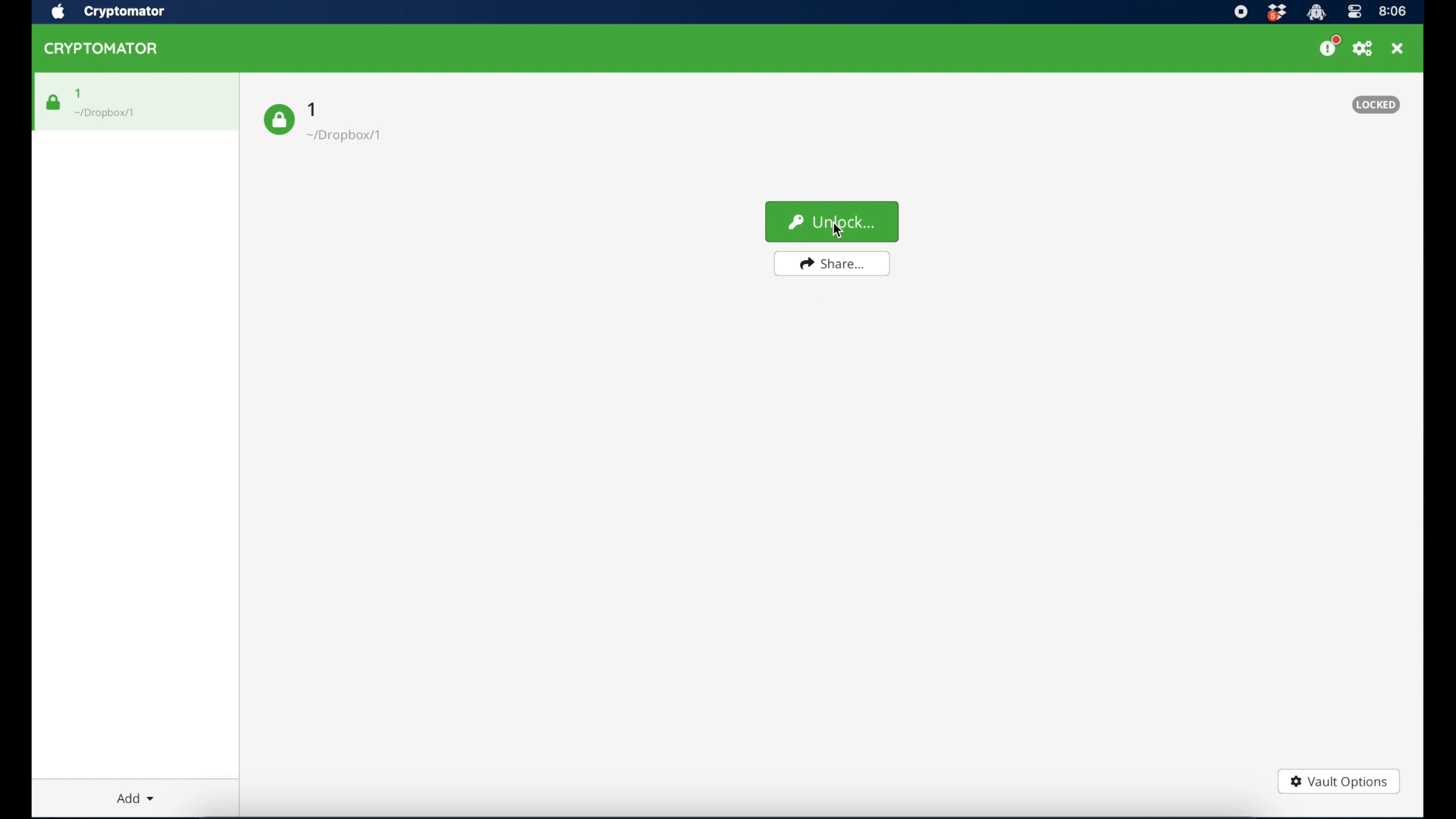 This screenshot has height=819, width=1456. I want to click on cryptomator, so click(124, 12).